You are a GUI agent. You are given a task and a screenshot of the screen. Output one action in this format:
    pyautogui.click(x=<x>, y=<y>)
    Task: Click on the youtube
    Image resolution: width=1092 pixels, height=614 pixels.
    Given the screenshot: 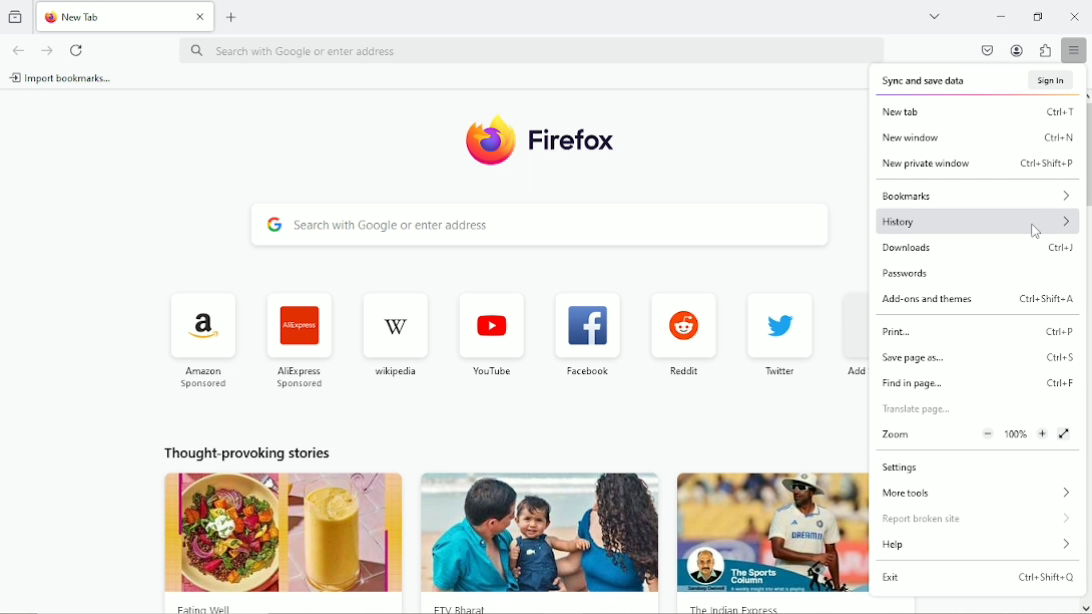 What is the action you would take?
    pyautogui.click(x=490, y=373)
    